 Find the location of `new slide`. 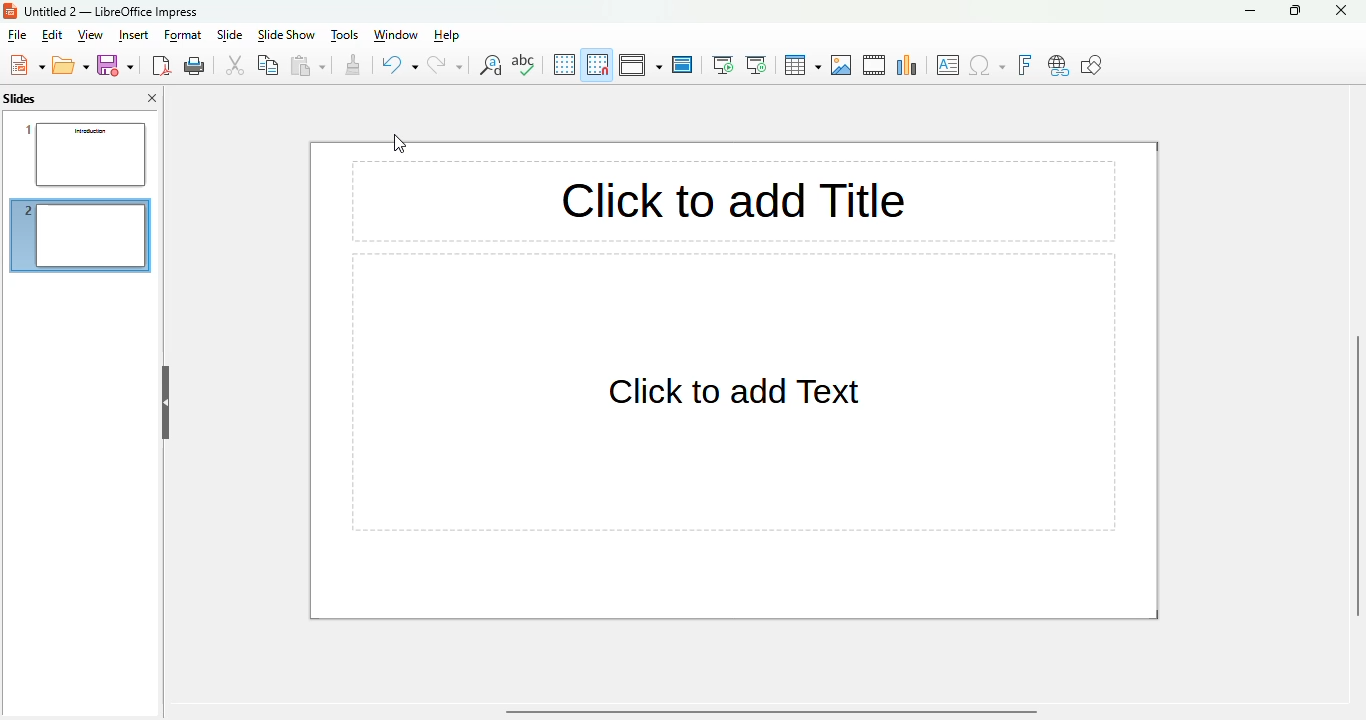

new slide is located at coordinates (80, 236).